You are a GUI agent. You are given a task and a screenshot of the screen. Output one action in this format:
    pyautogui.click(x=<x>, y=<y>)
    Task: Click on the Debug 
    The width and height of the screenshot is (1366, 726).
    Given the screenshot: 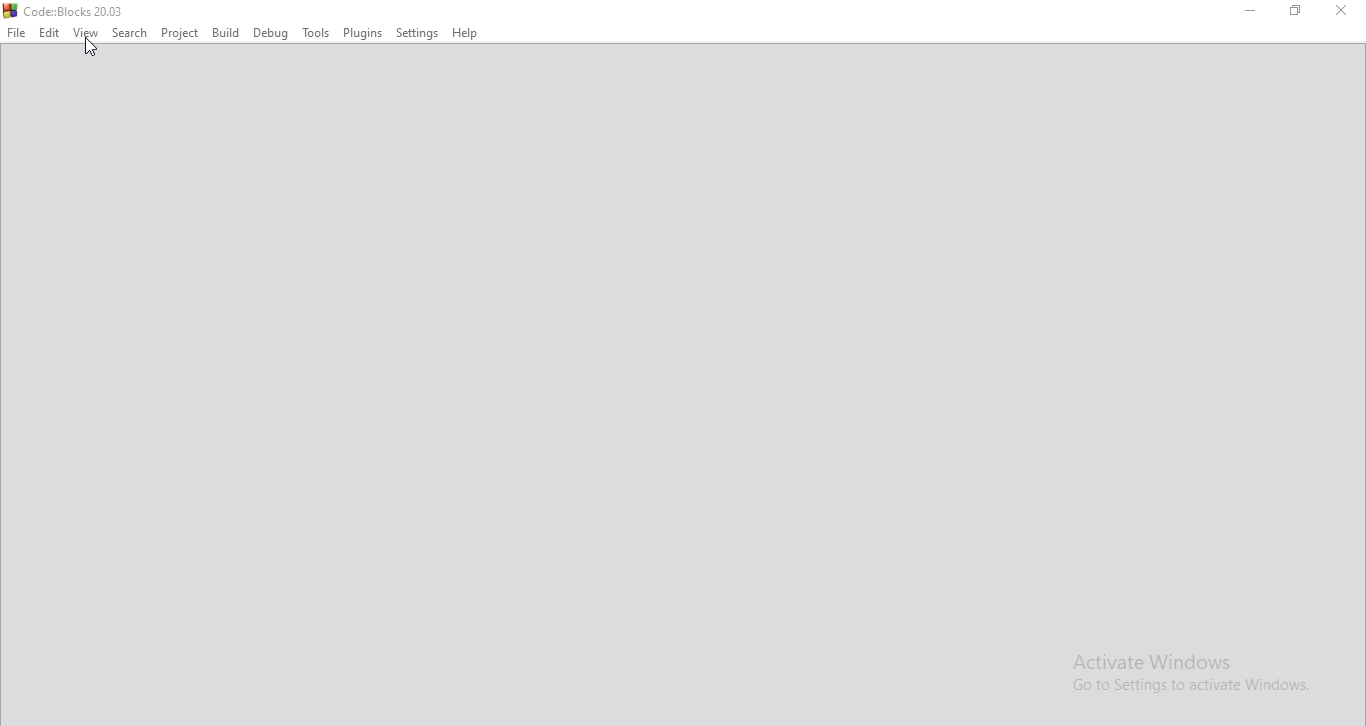 What is the action you would take?
    pyautogui.click(x=271, y=32)
    